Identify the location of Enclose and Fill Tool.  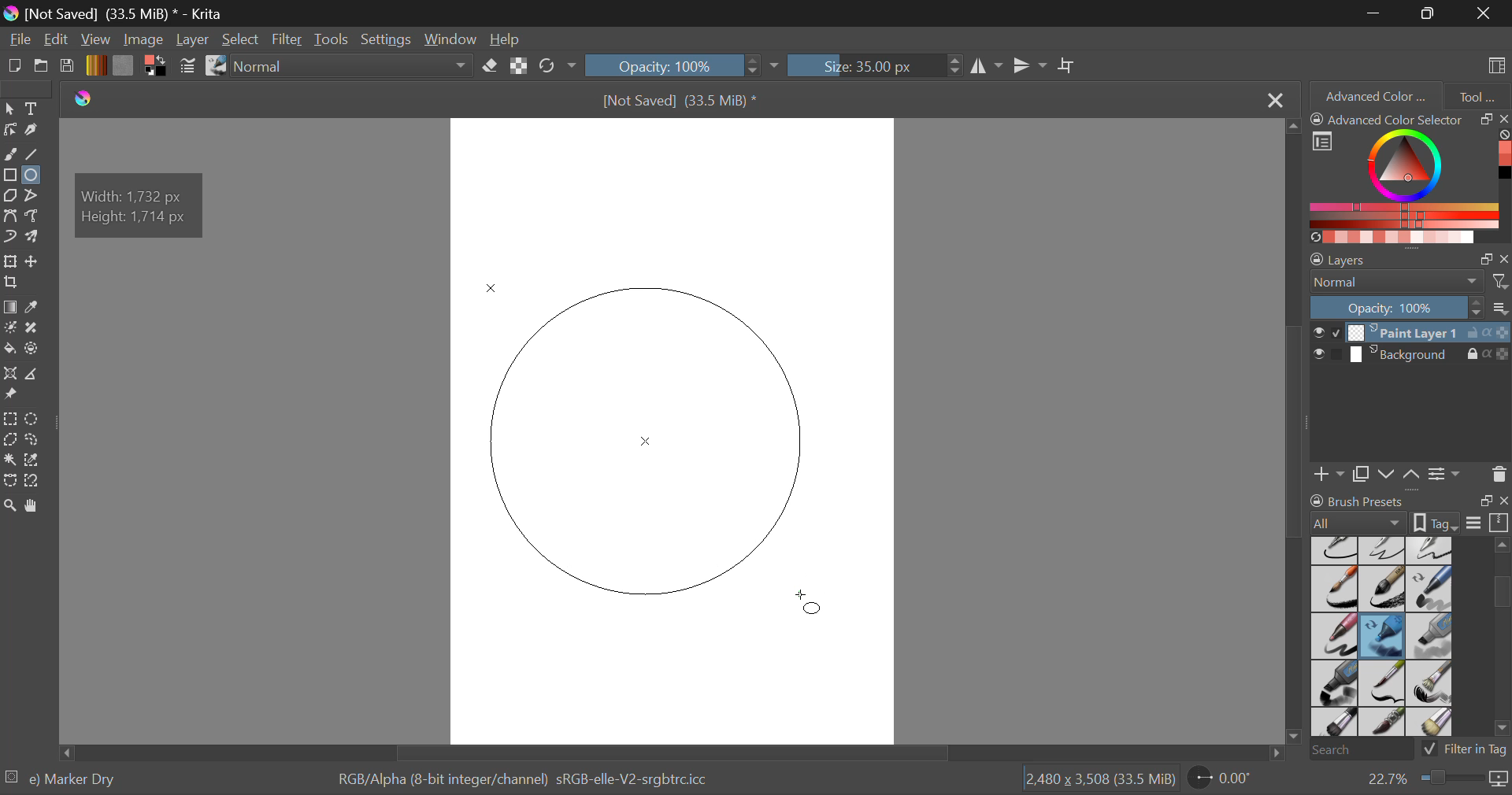
(33, 349).